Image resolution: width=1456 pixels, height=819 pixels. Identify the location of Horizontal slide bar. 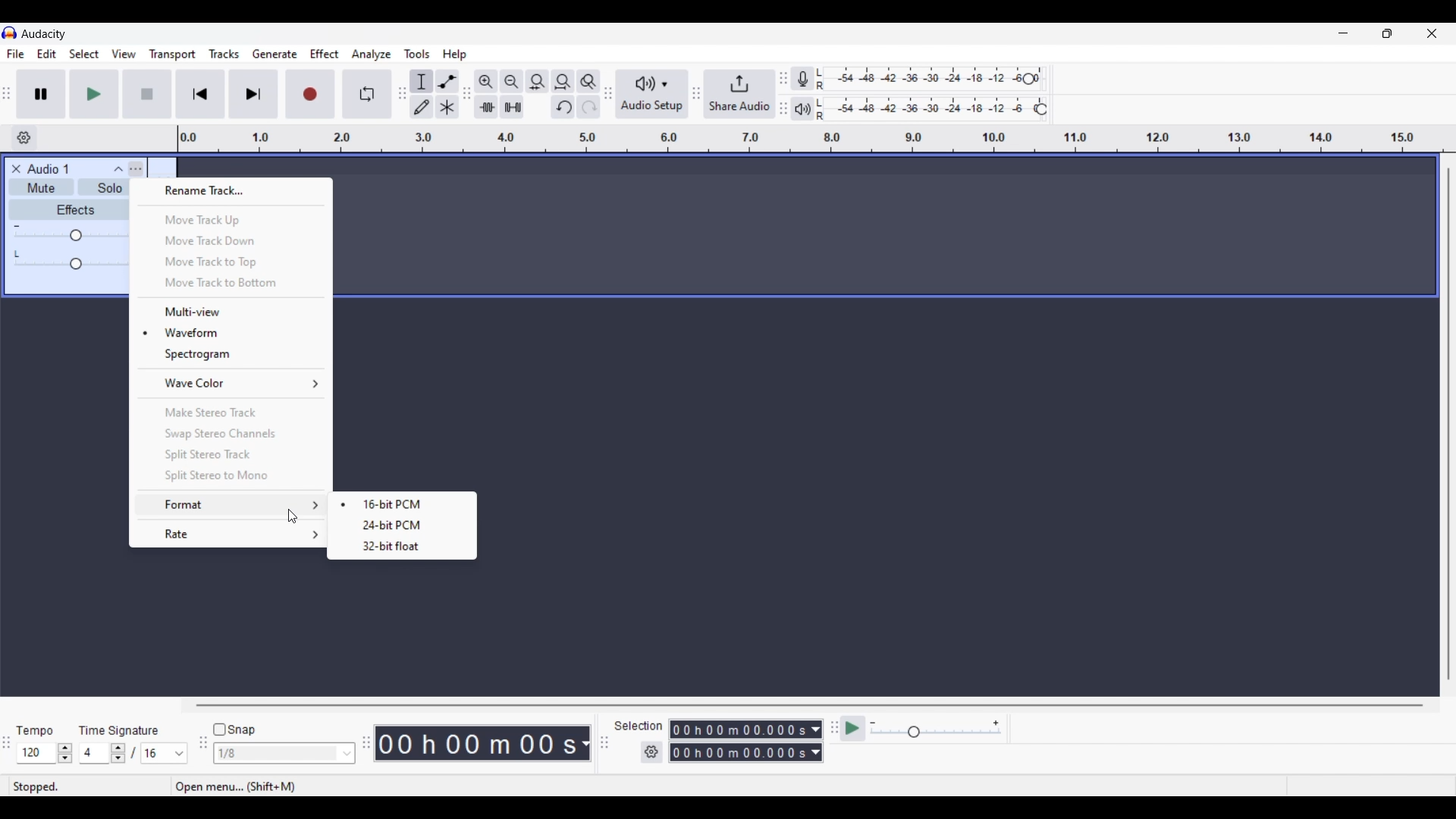
(810, 705).